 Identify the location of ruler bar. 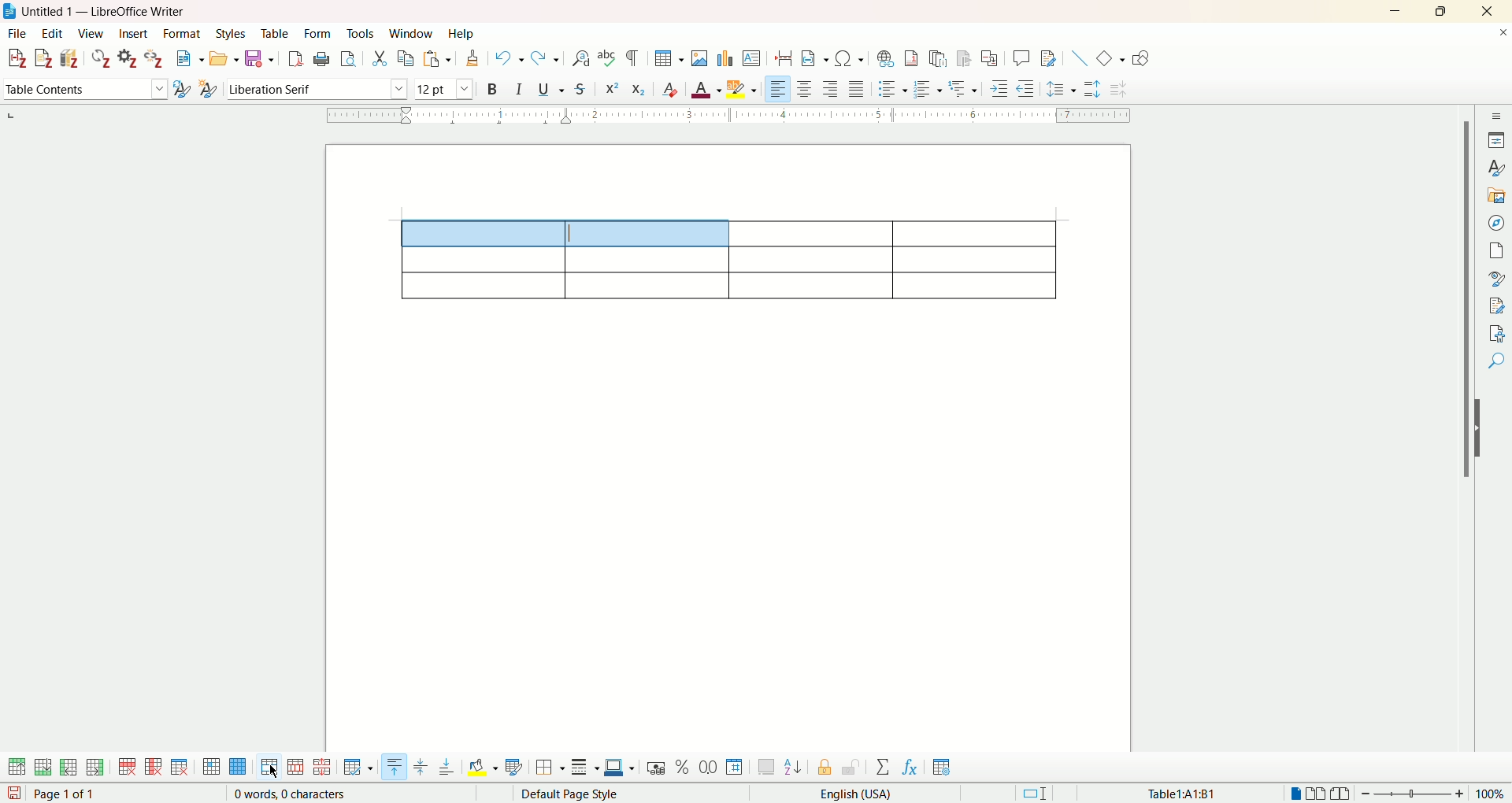
(728, 118).